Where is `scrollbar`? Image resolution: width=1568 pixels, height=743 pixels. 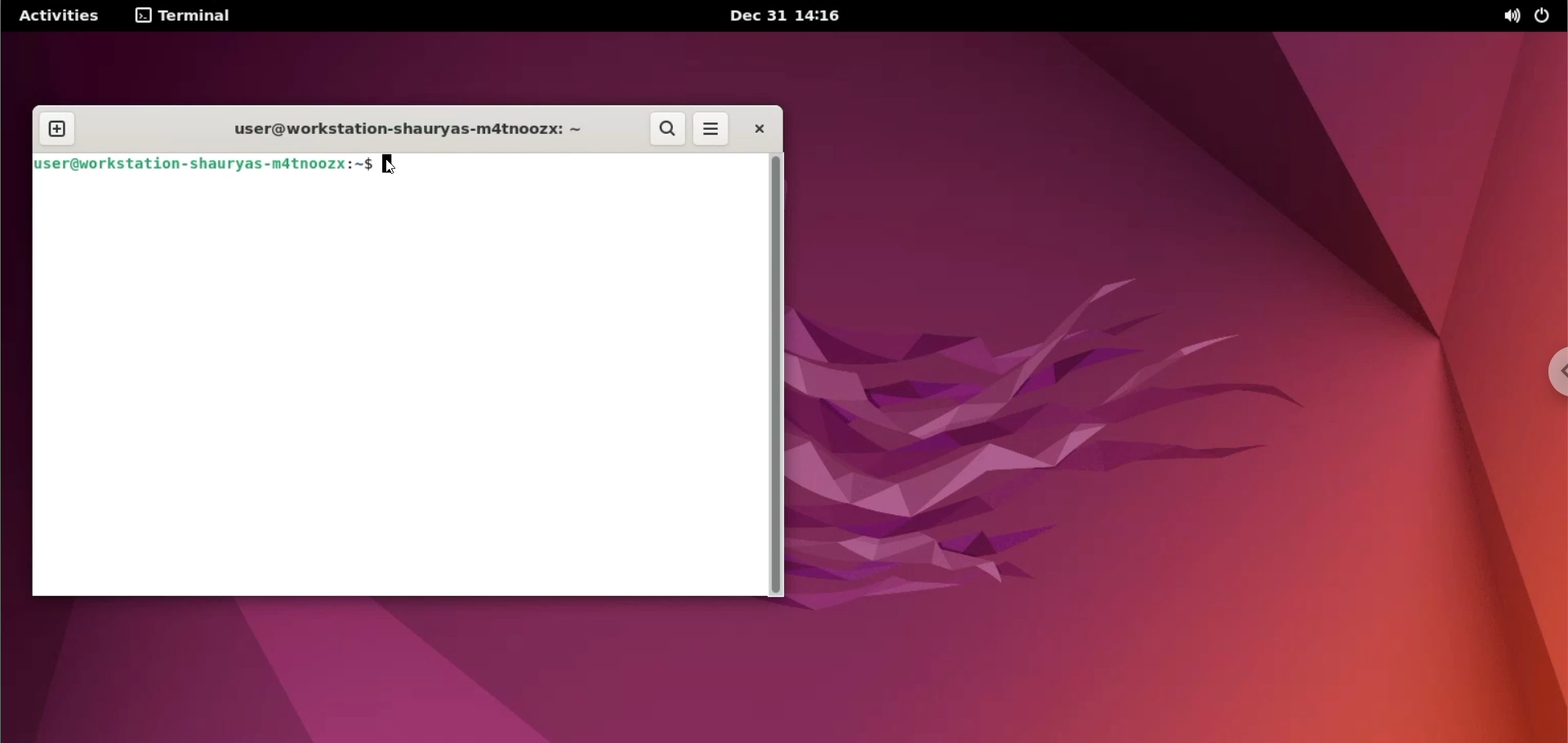
scrollbar is located at coordinates (773, 376).